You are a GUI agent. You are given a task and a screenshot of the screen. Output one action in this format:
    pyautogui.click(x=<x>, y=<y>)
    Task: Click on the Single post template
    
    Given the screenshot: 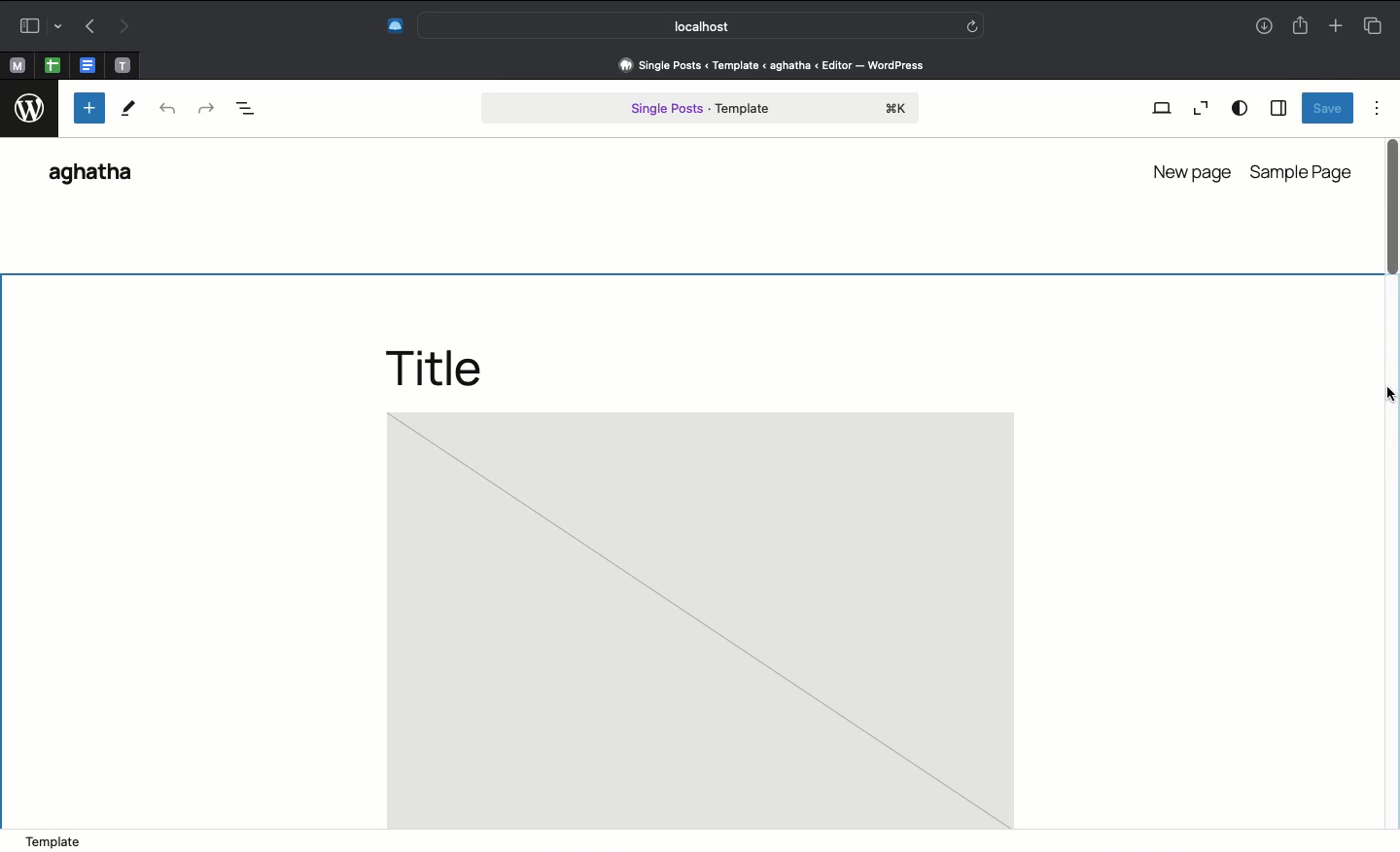 What is the action you would take?
    pyautogui.click(x=700, y=110)
    